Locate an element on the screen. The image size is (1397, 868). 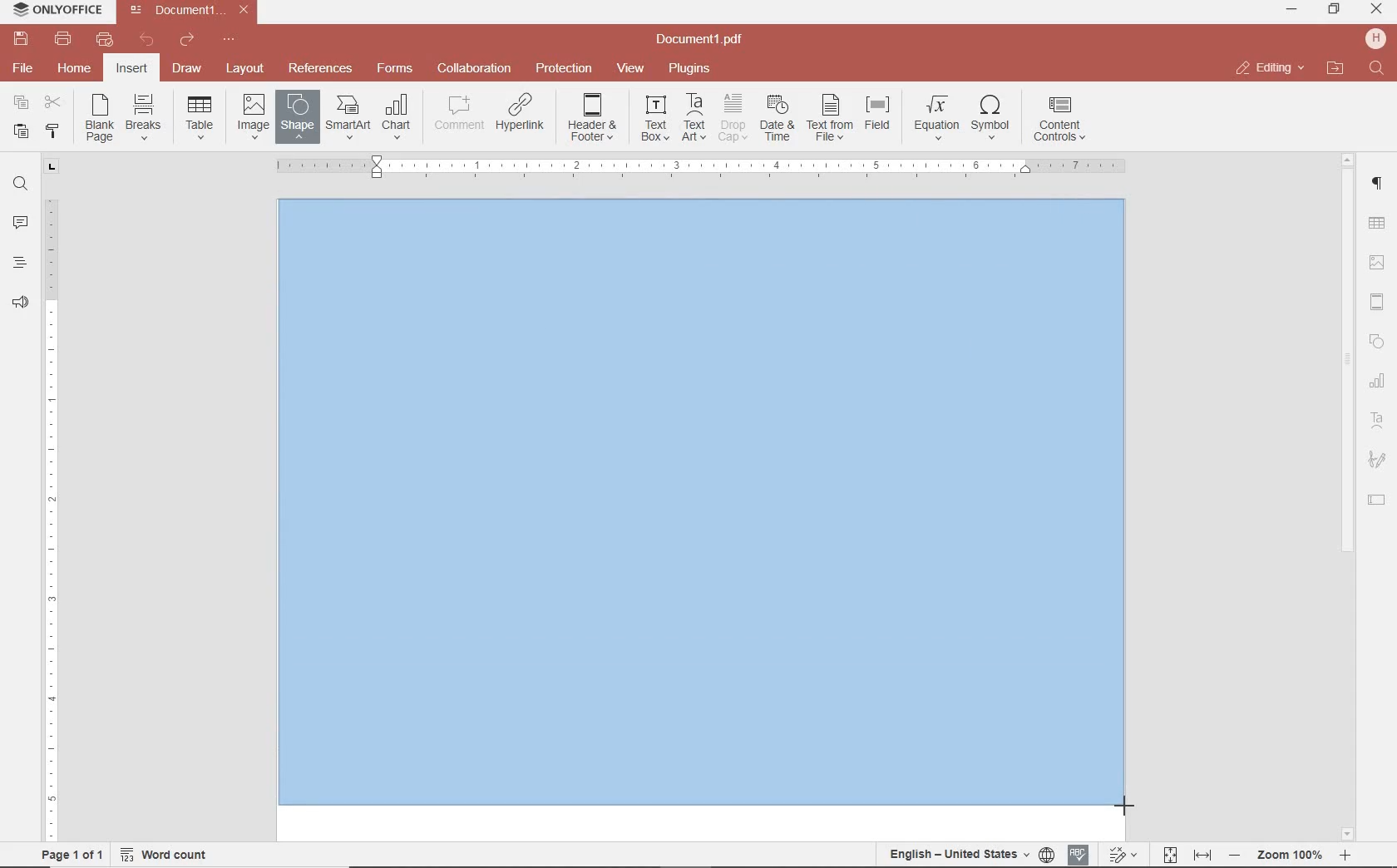
INSERT SMART ART is located at coordinates (348, 116).